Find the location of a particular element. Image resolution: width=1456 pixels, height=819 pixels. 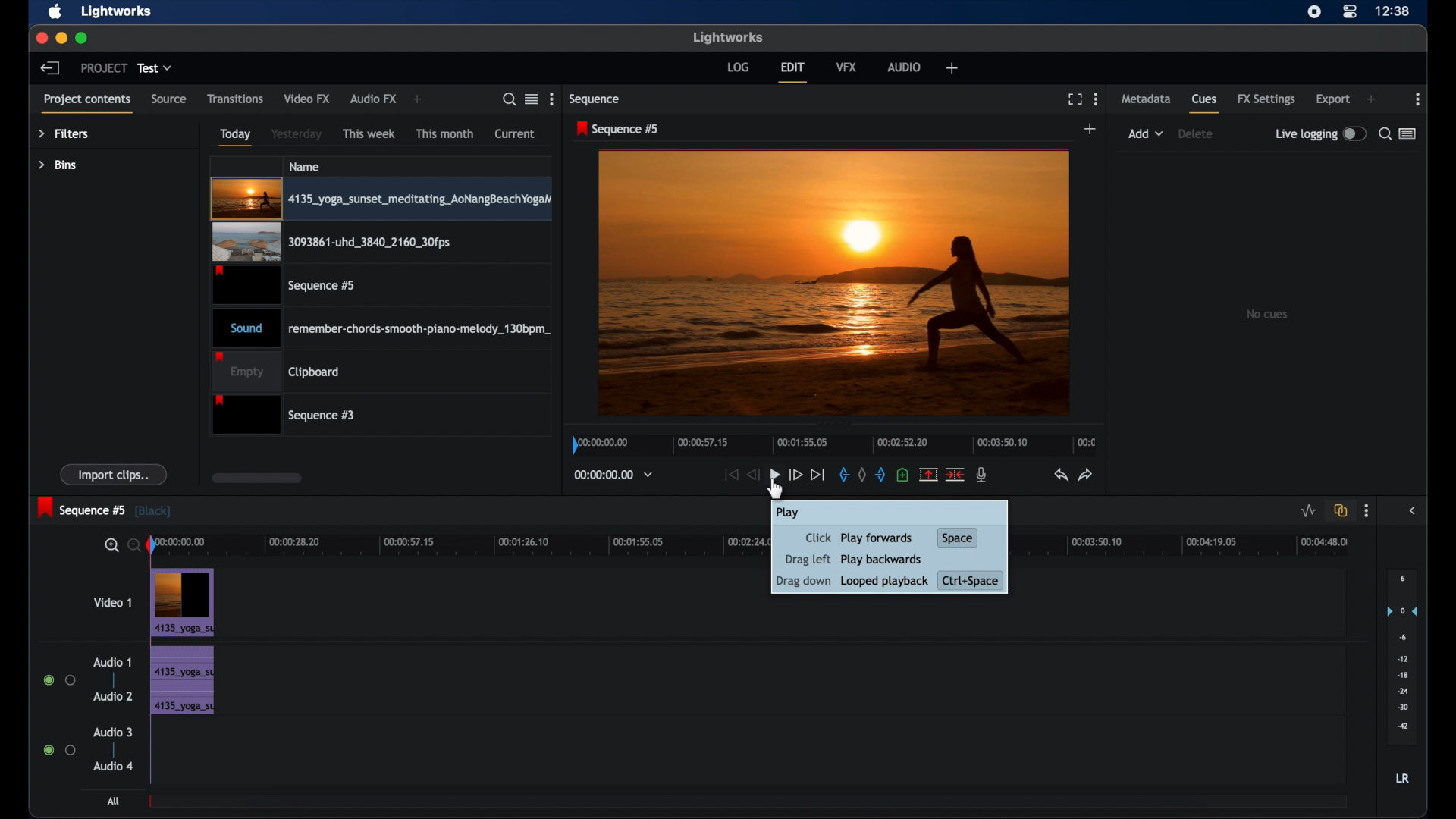

rewind is located at coordinates (754, 475).